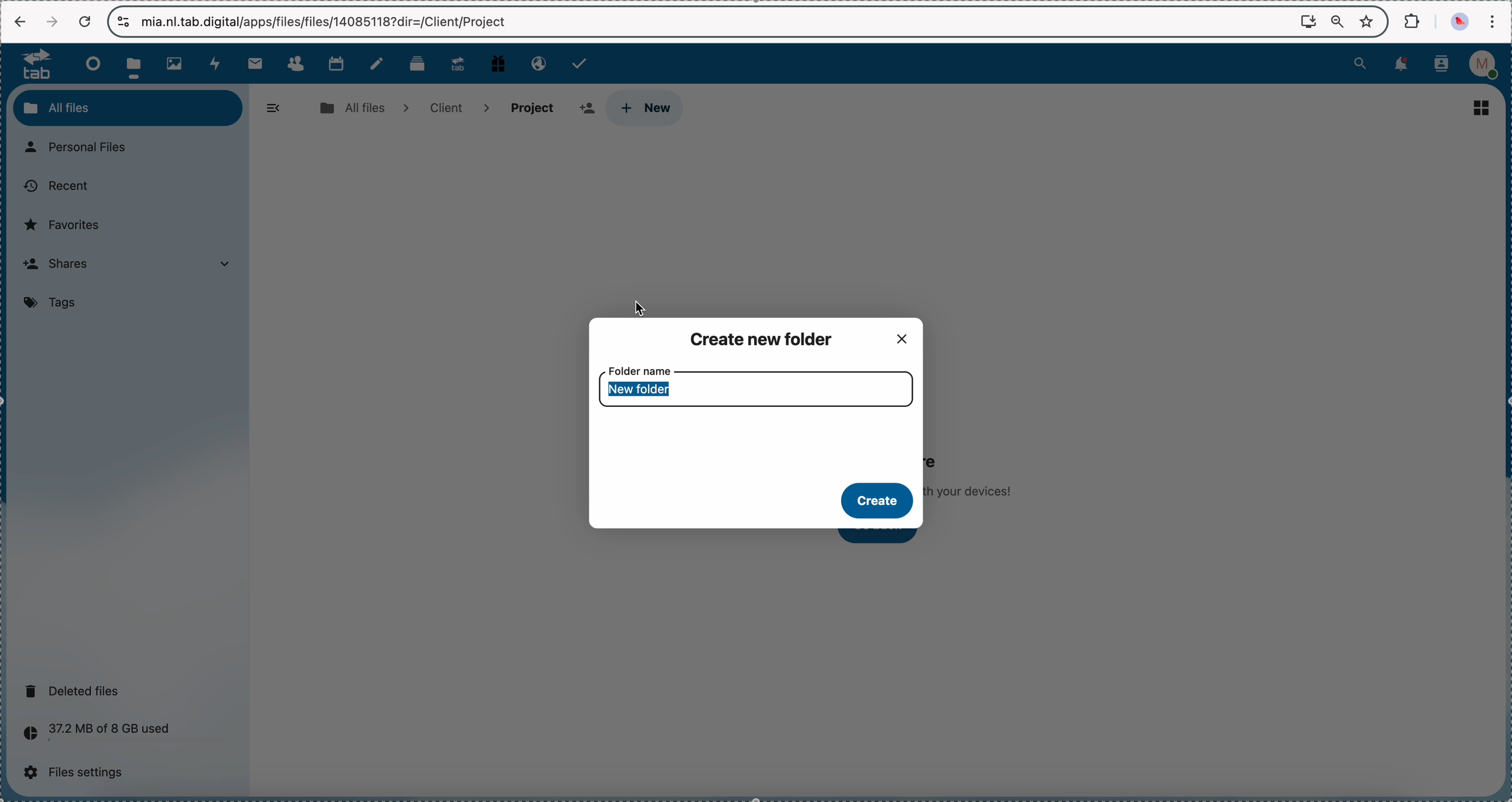 The image size is (1512, 802). Describe the element at coordinates (336, 62) in the screenshot. I see `calendar` at that location.